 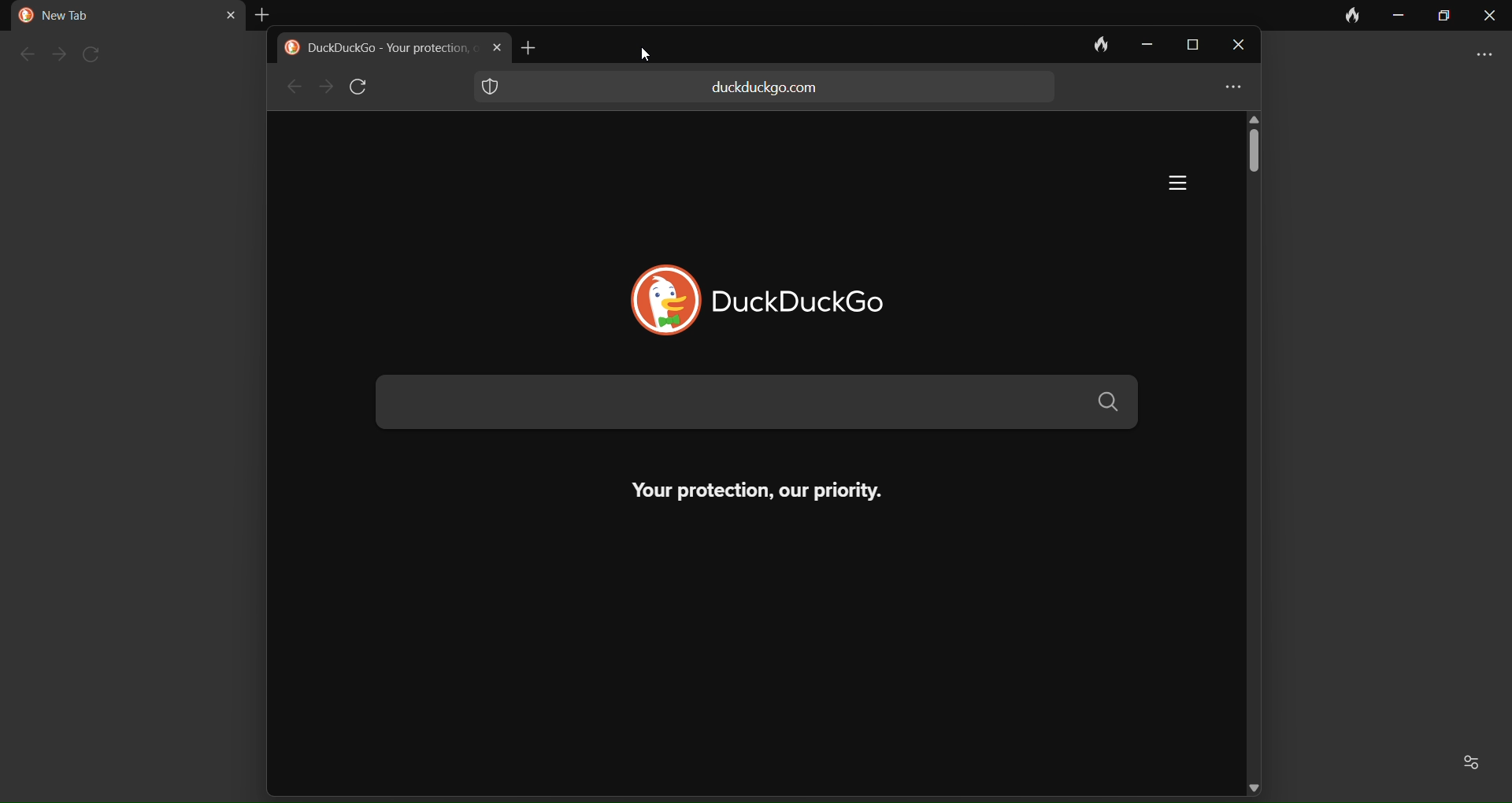 I want to click on refresh, so click(x=363, y=87).